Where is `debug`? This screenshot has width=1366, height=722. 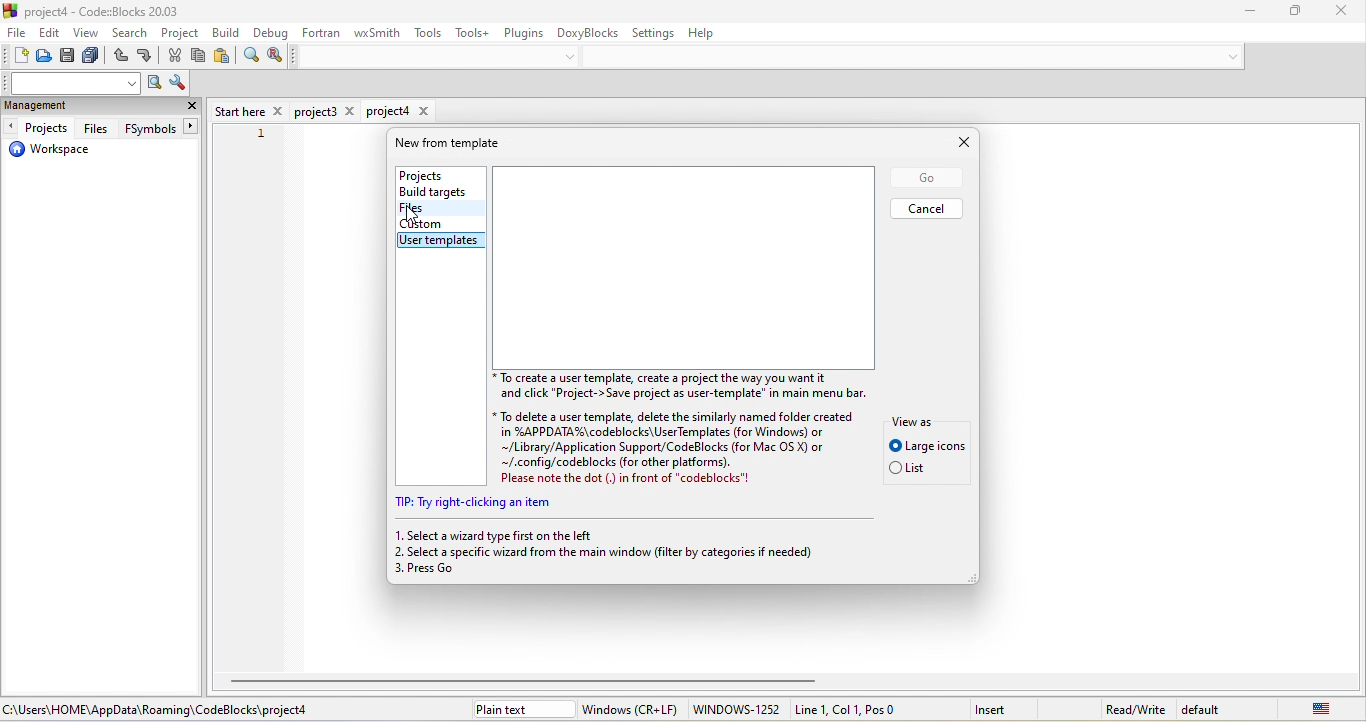 debug is located at coordinates (269, 34).